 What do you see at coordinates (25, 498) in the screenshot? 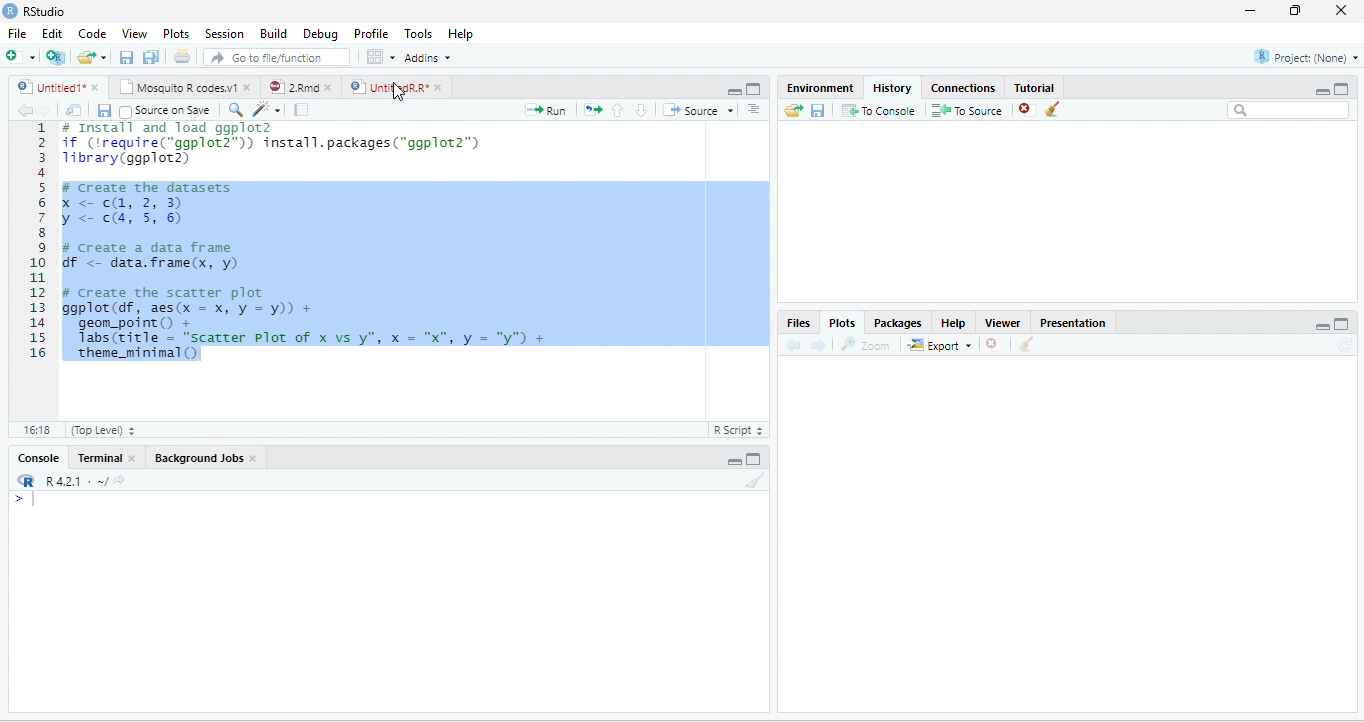
I see `New line` at bounding box center [25, 498].